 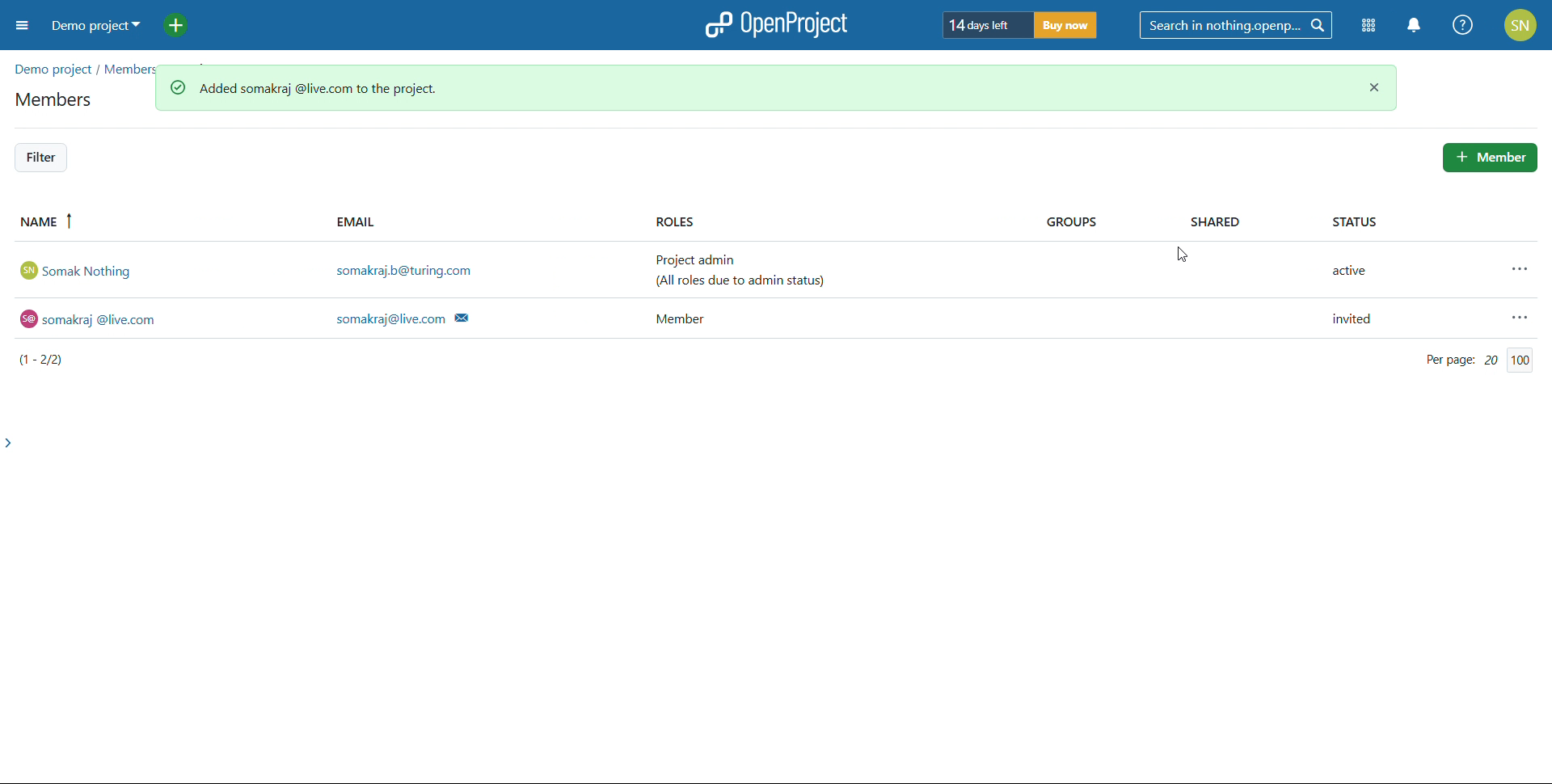 What do you see at coordinates (403, 321) in the screenshot?
I see `somakraj@live.com` at bounding box center [403, 321].